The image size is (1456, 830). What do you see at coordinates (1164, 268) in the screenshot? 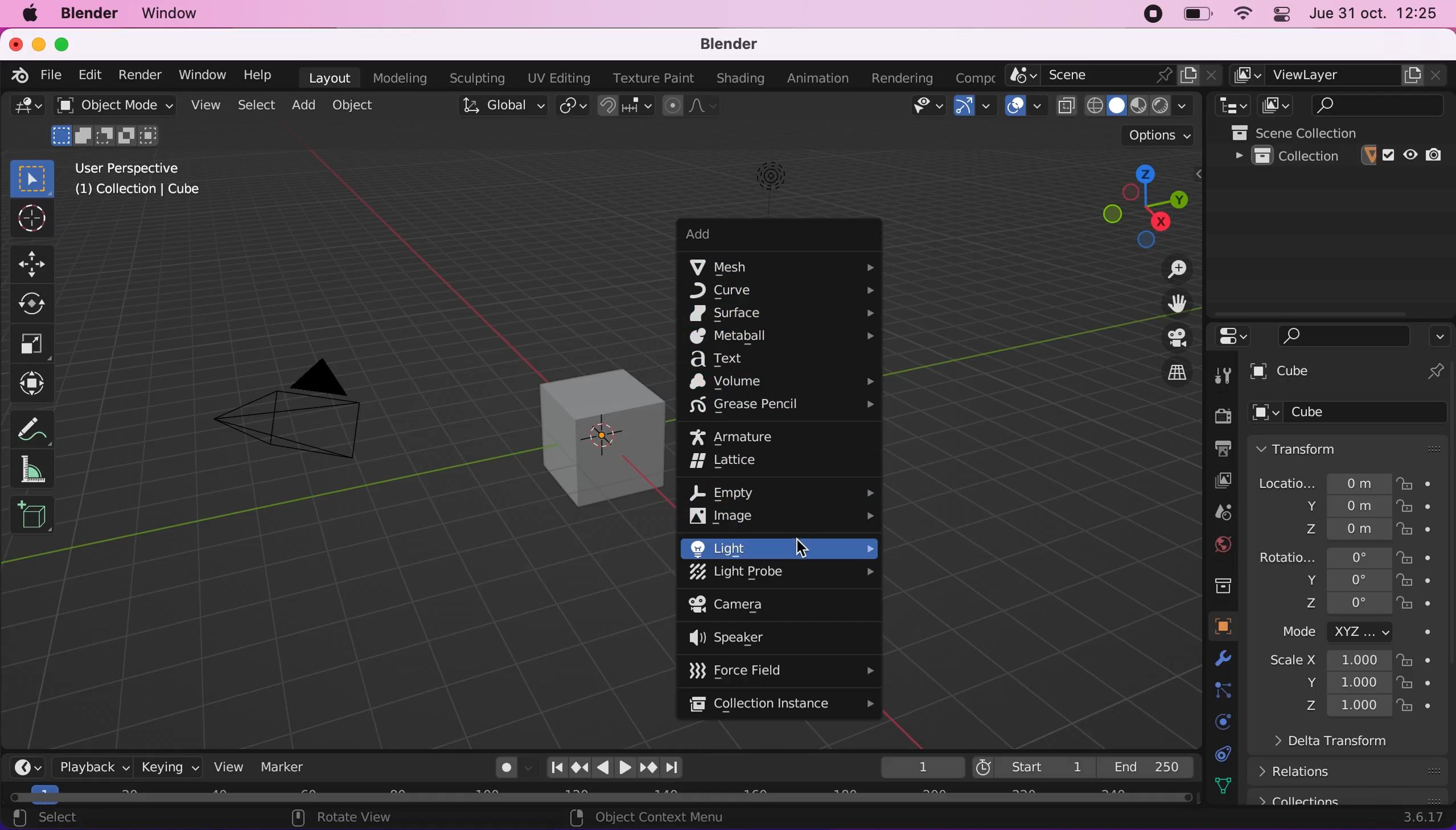
I see `zoom in/out` at bounding box center [1164, 268].